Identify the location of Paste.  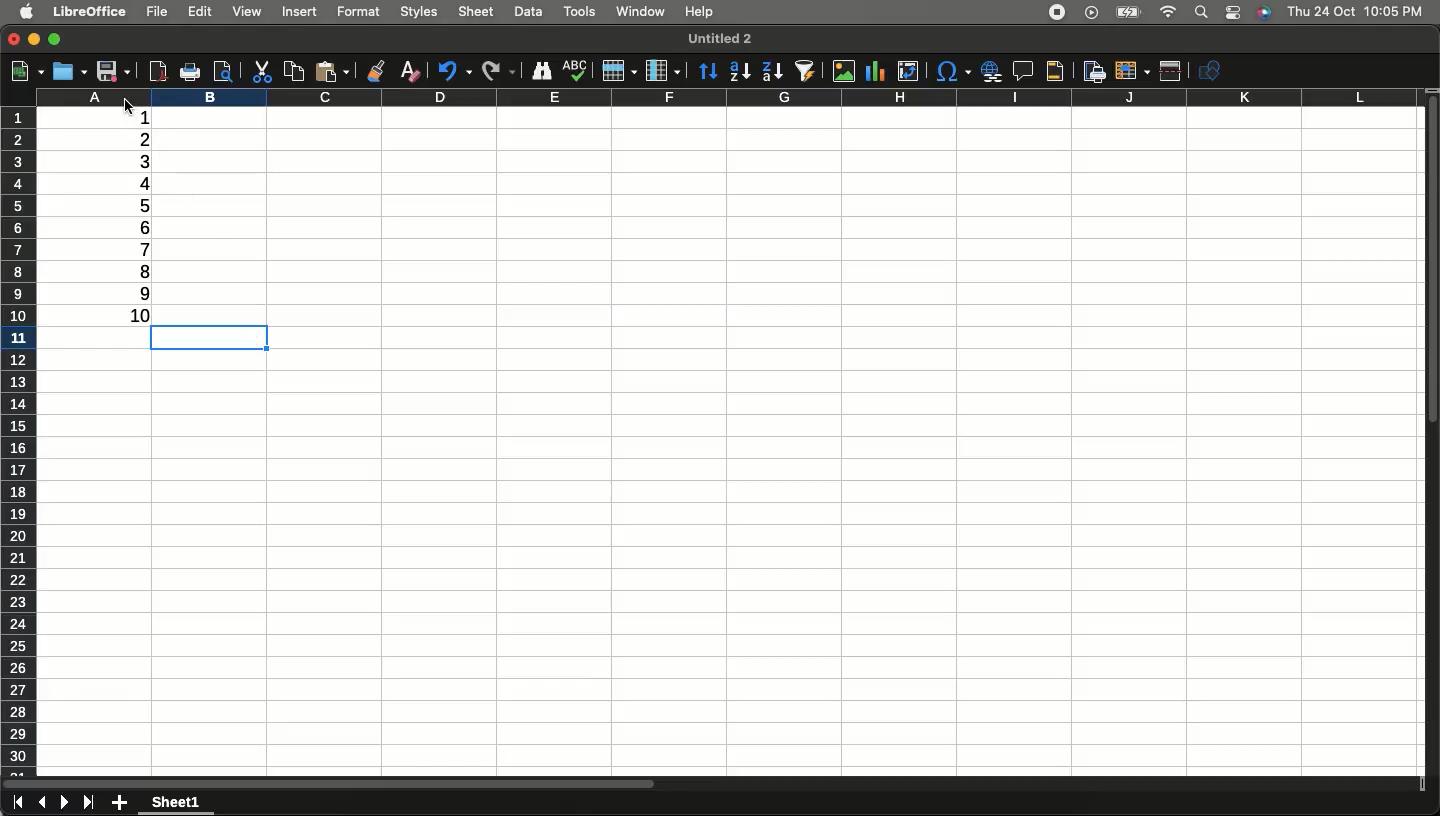
(336, 70).